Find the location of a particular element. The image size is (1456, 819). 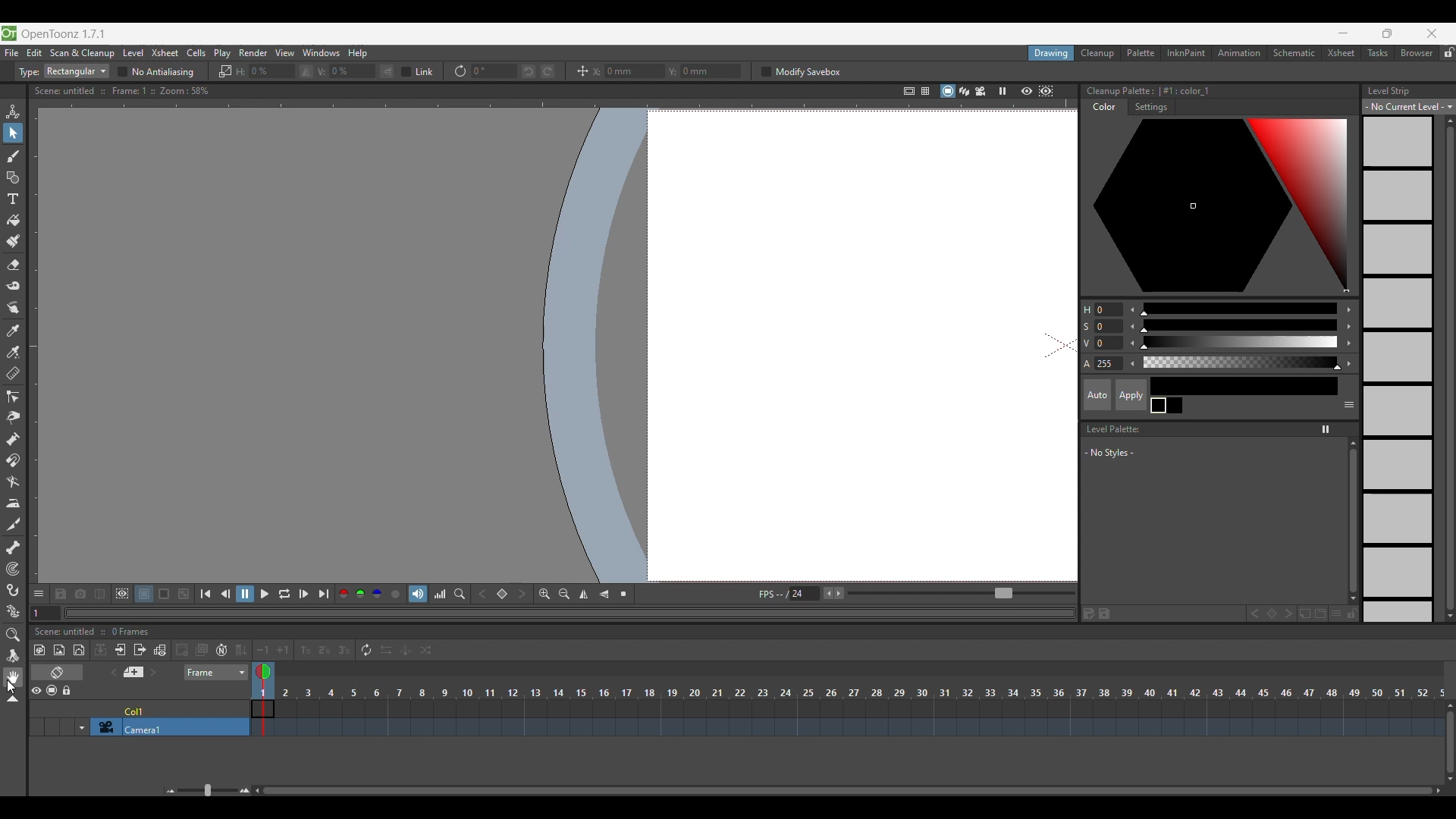

Input Y axis position is located at coordinates (705, 71).